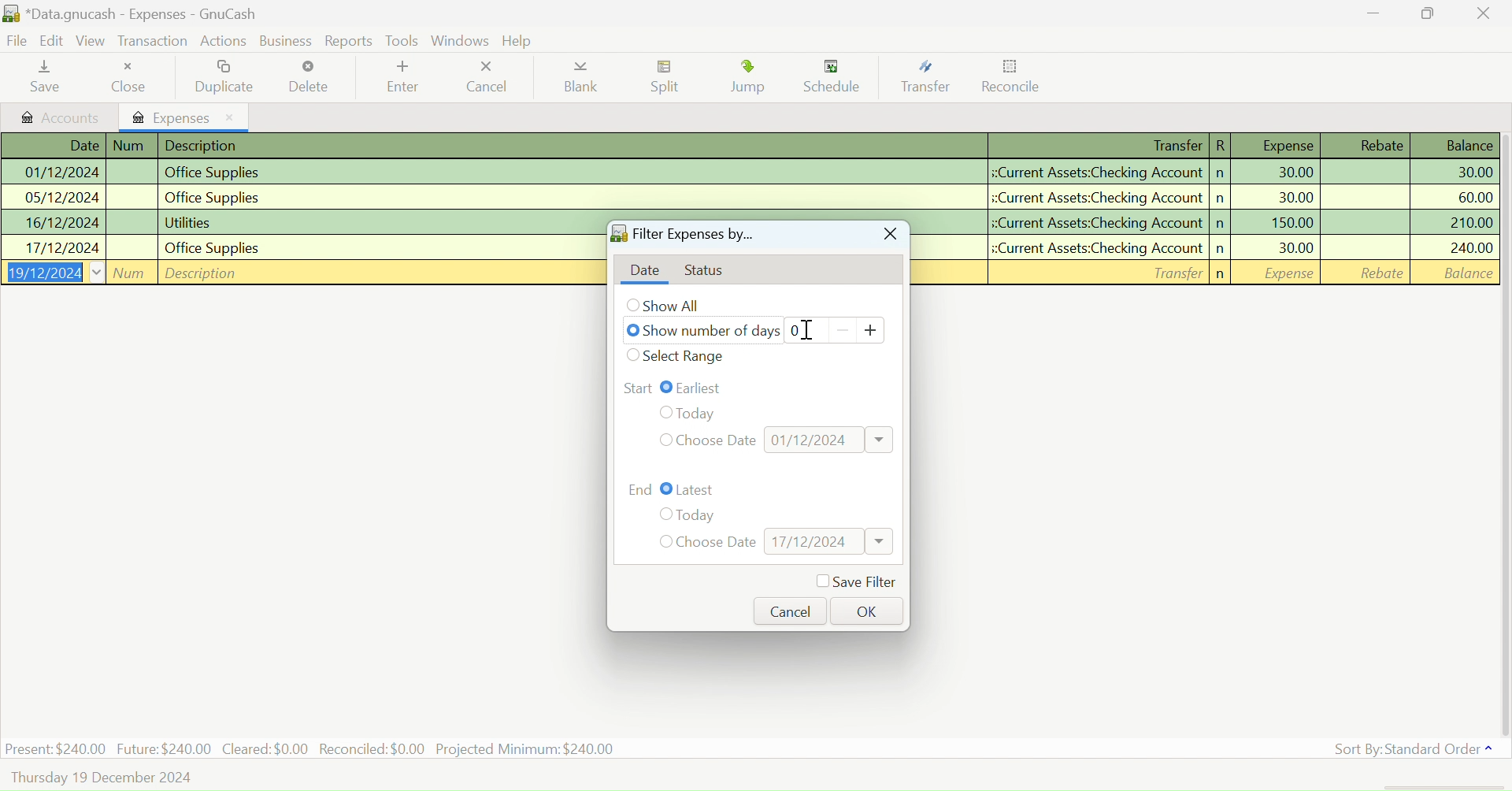 This screenshot has height=791, width=1512. What do you see at coordinates (837, 77) in the screenshot?
I see `Schedule` at bounding box center [837, 77].